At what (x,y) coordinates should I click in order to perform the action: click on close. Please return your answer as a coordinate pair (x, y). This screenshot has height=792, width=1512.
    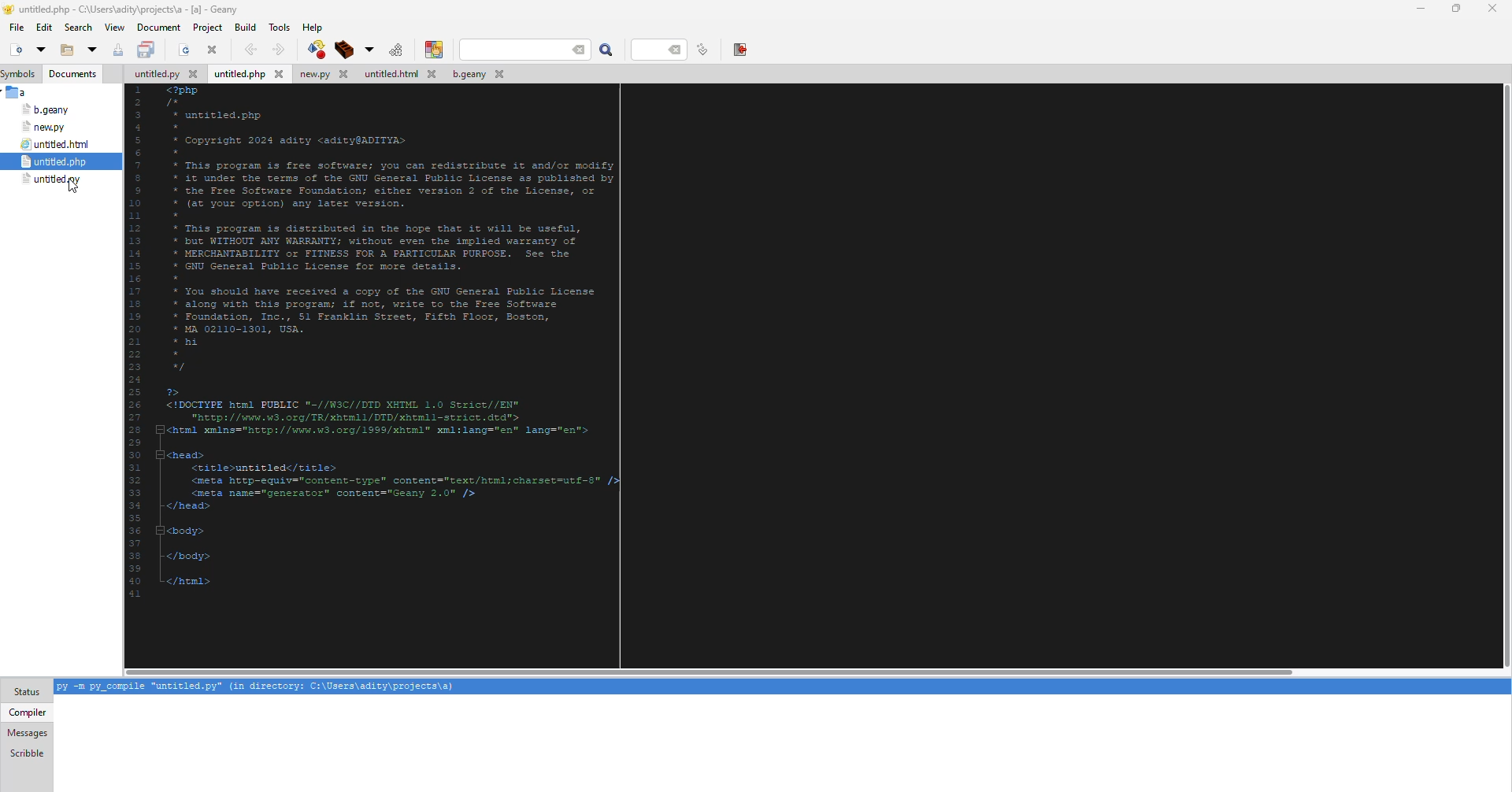
    Looking at the image, I should click on (1492, 8).